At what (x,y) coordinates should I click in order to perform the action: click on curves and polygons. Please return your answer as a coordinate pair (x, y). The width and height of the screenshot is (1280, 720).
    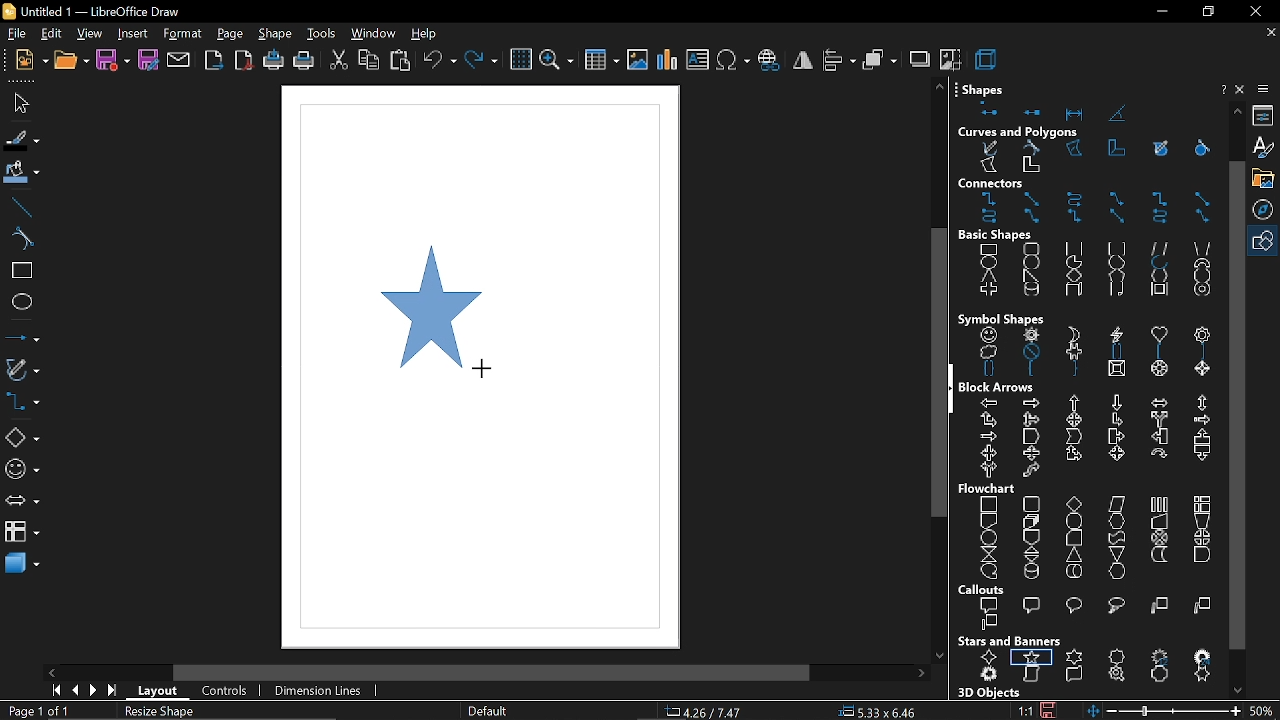
    Looking at the image, I should click on (23, 371).